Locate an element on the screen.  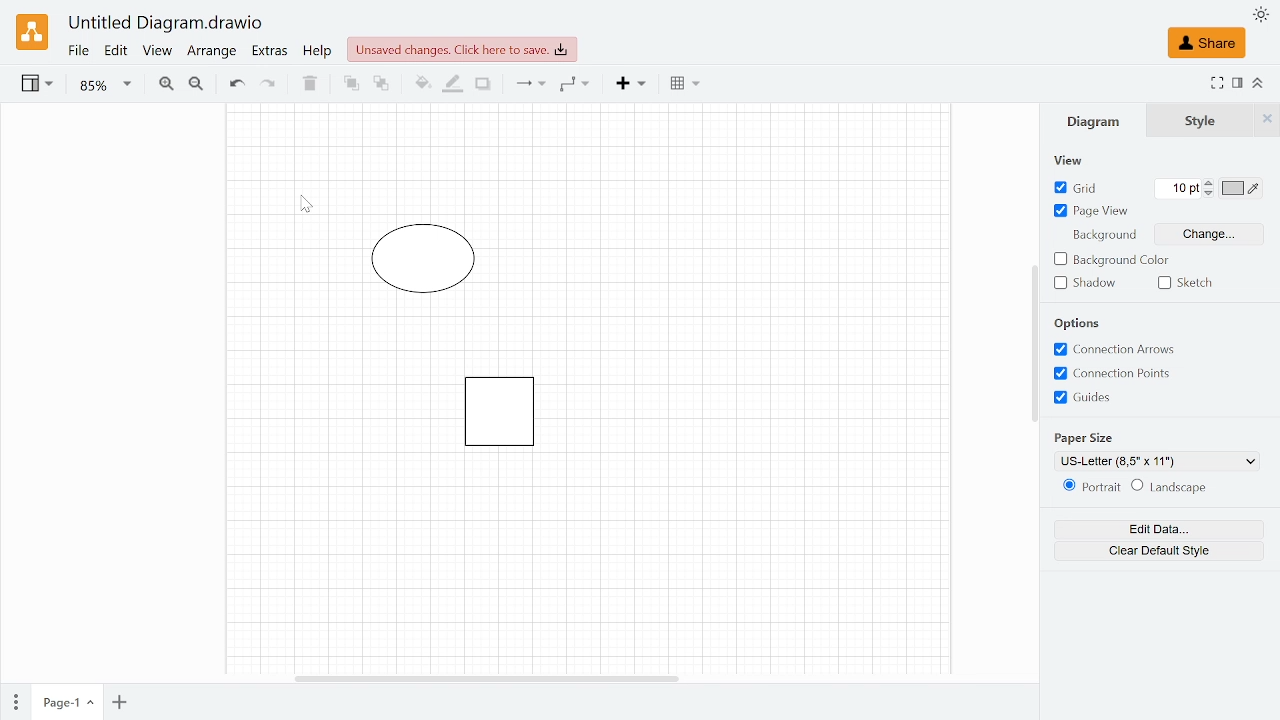
Options is located at coordinates (1078, 323).